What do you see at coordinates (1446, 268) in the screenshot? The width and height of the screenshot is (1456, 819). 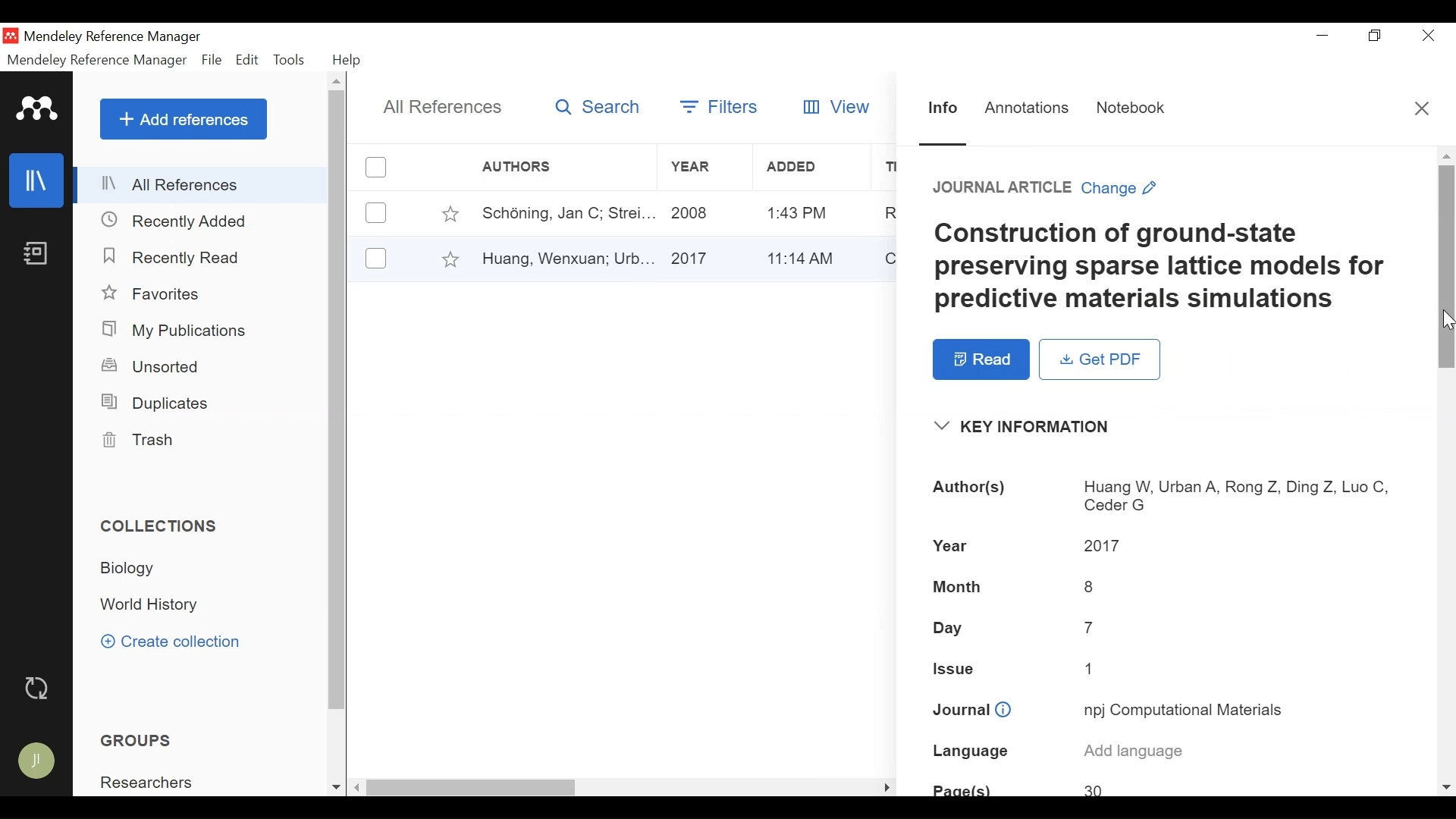 I see `Vertical Scroll bar` at bounding box center [1446, 268].